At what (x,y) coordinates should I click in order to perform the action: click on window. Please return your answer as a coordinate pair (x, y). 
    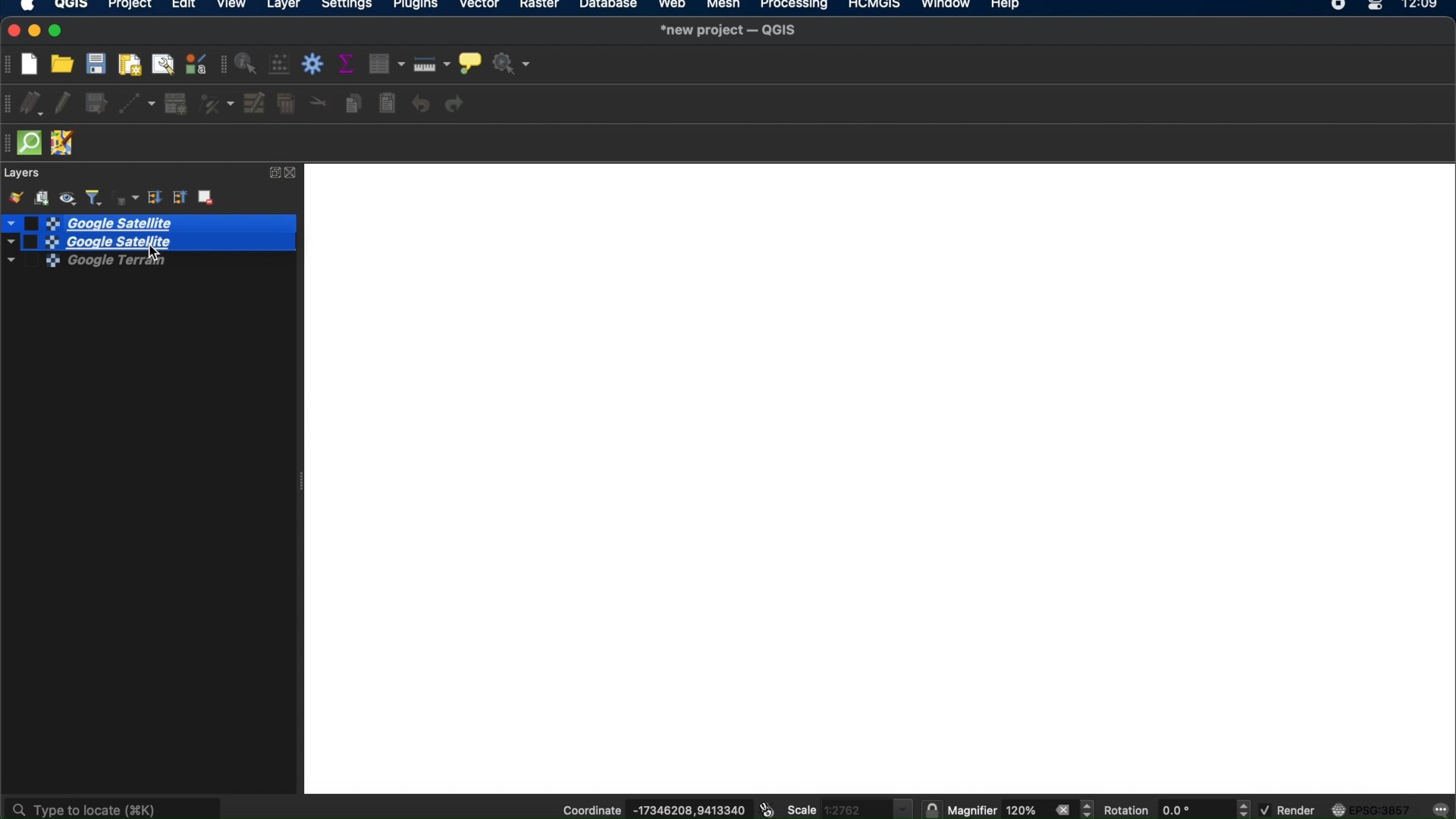
    Looking at the image, I should click on (945, 6).